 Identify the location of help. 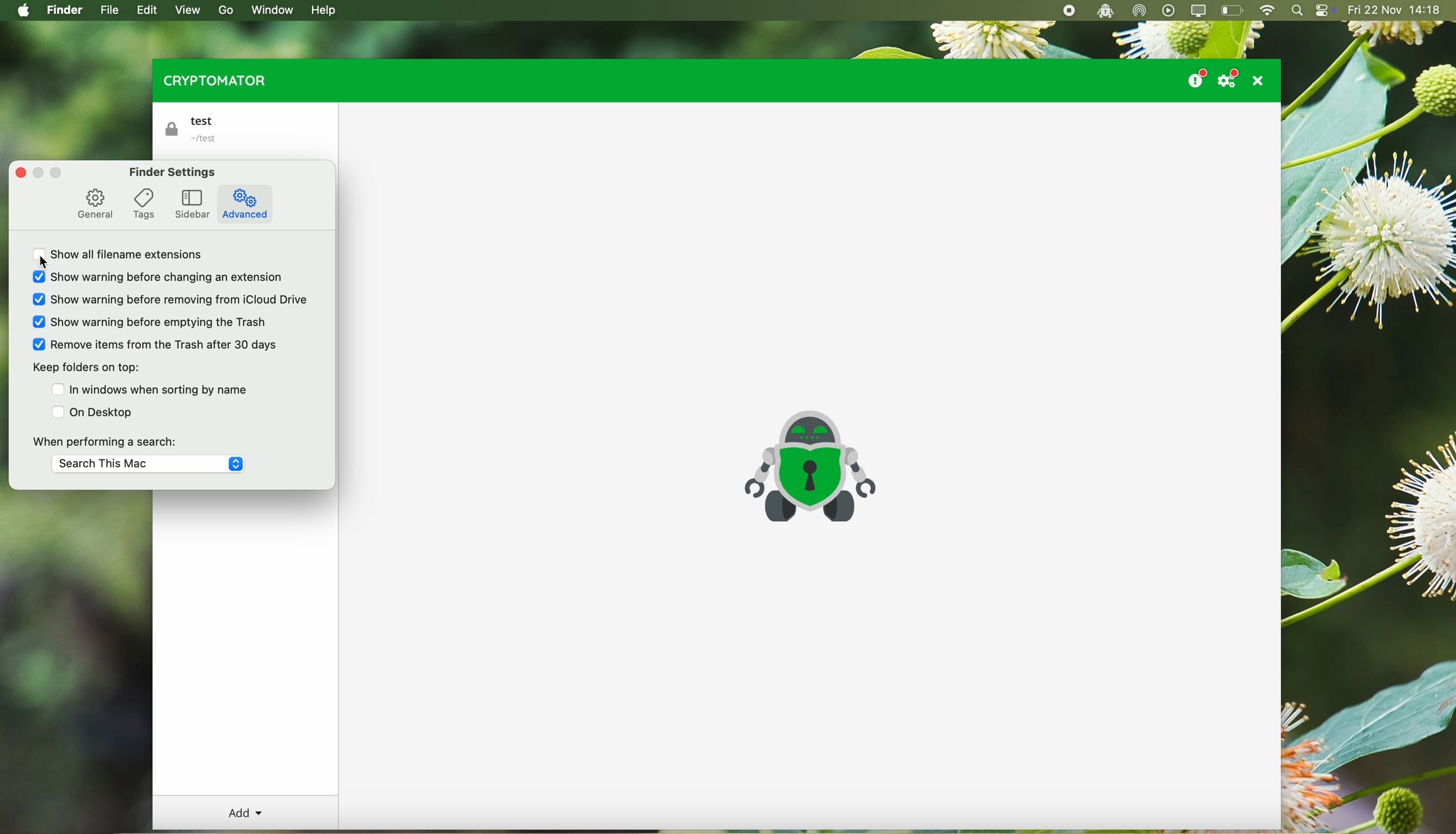
(326, 11).